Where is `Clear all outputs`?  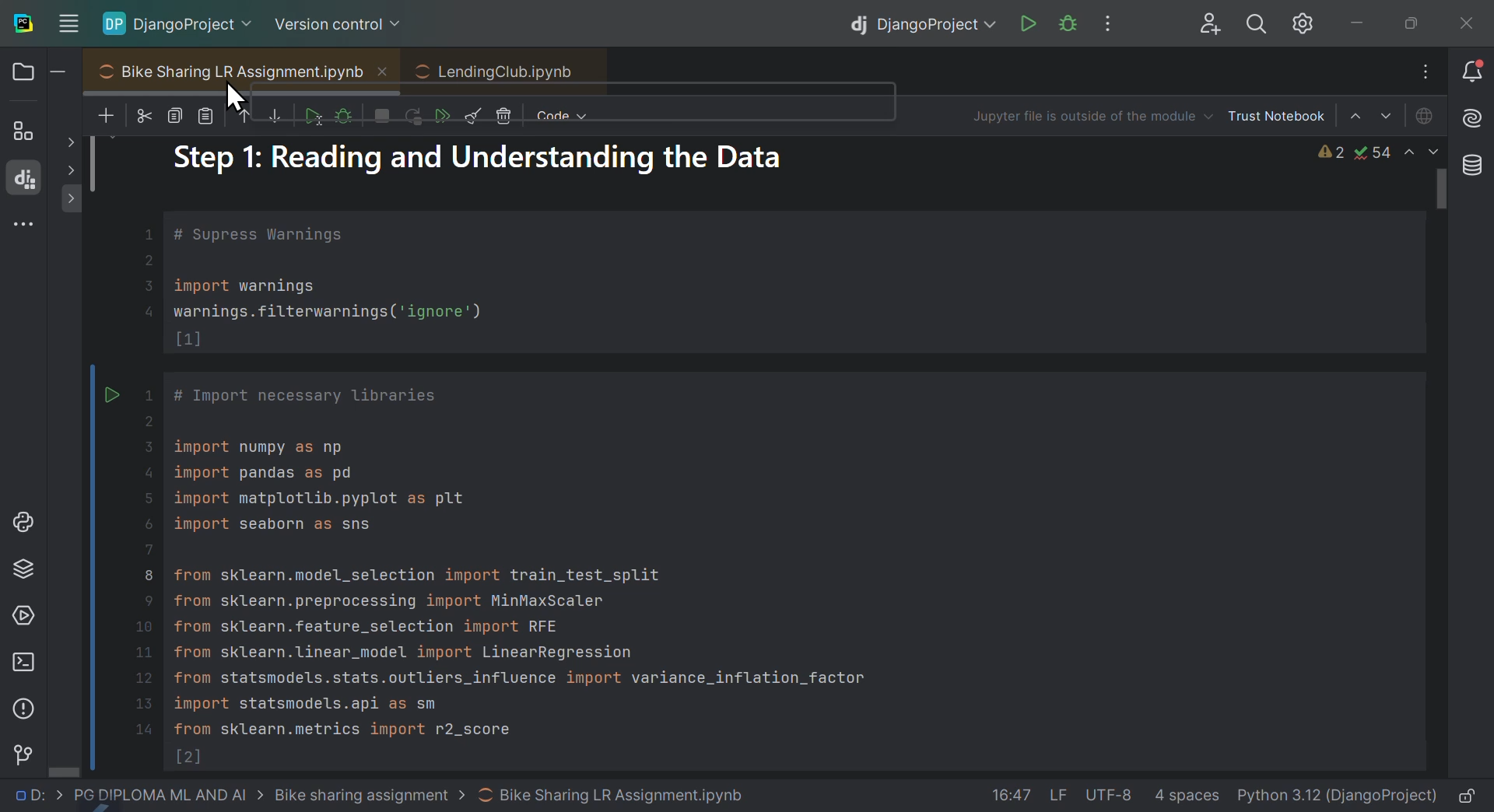 Clear all outputs is located at coordinates (477, 113).